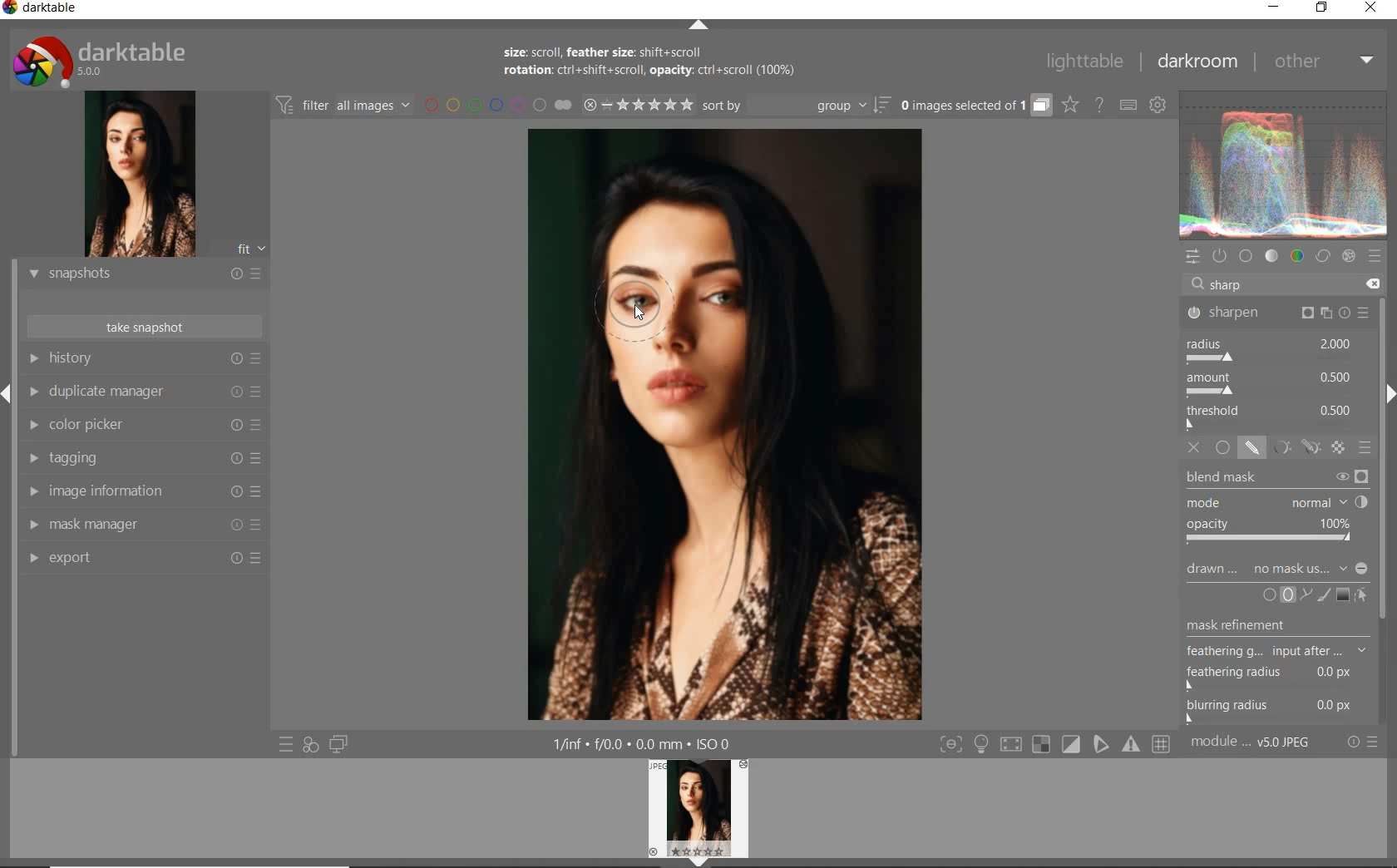 This screenshot has width=1397, height=868. Describe the element at coordinates (1222, 255) in the screenshot. I see `show only active modules` at that location.